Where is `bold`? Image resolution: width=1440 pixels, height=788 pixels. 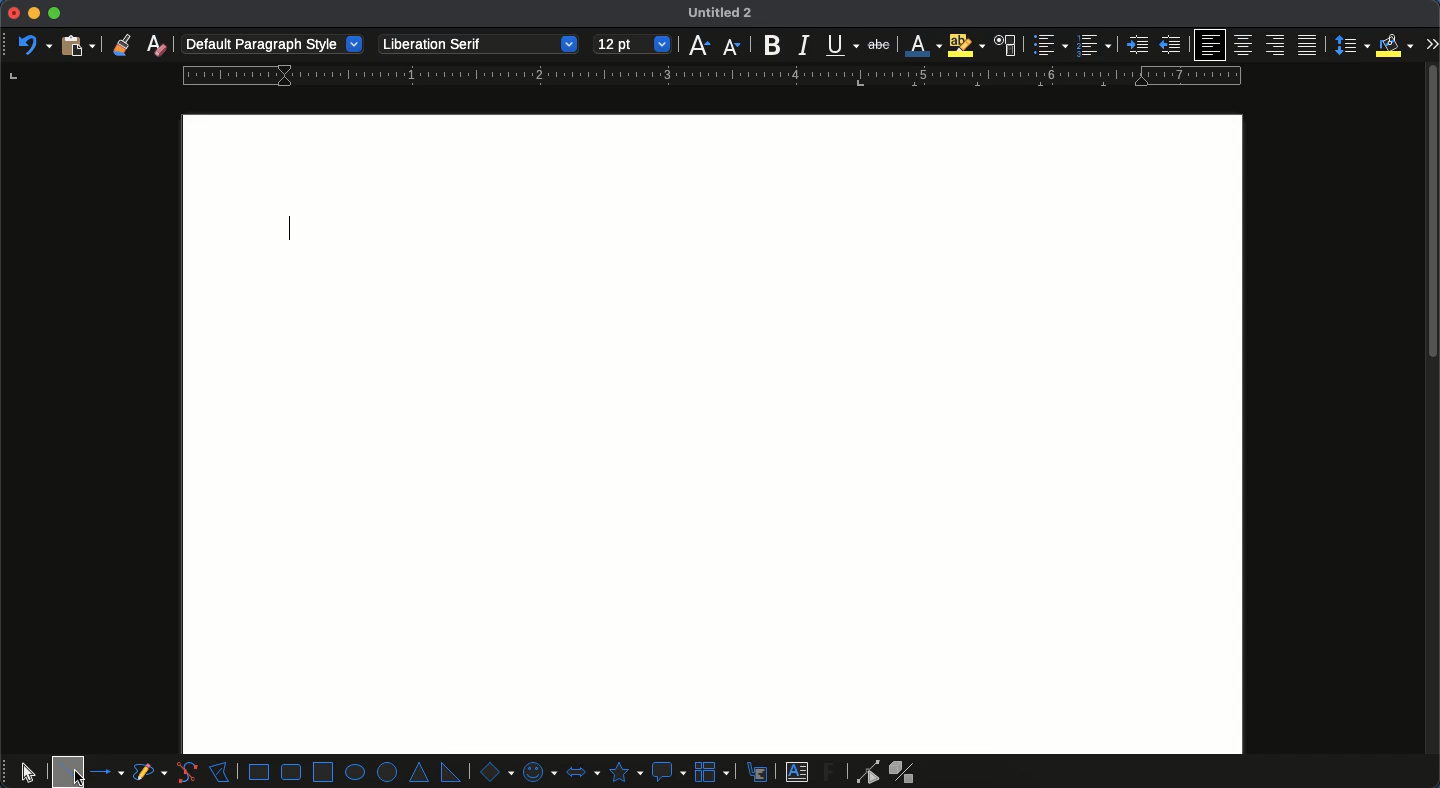 bold is located at coordinates (771, 44).